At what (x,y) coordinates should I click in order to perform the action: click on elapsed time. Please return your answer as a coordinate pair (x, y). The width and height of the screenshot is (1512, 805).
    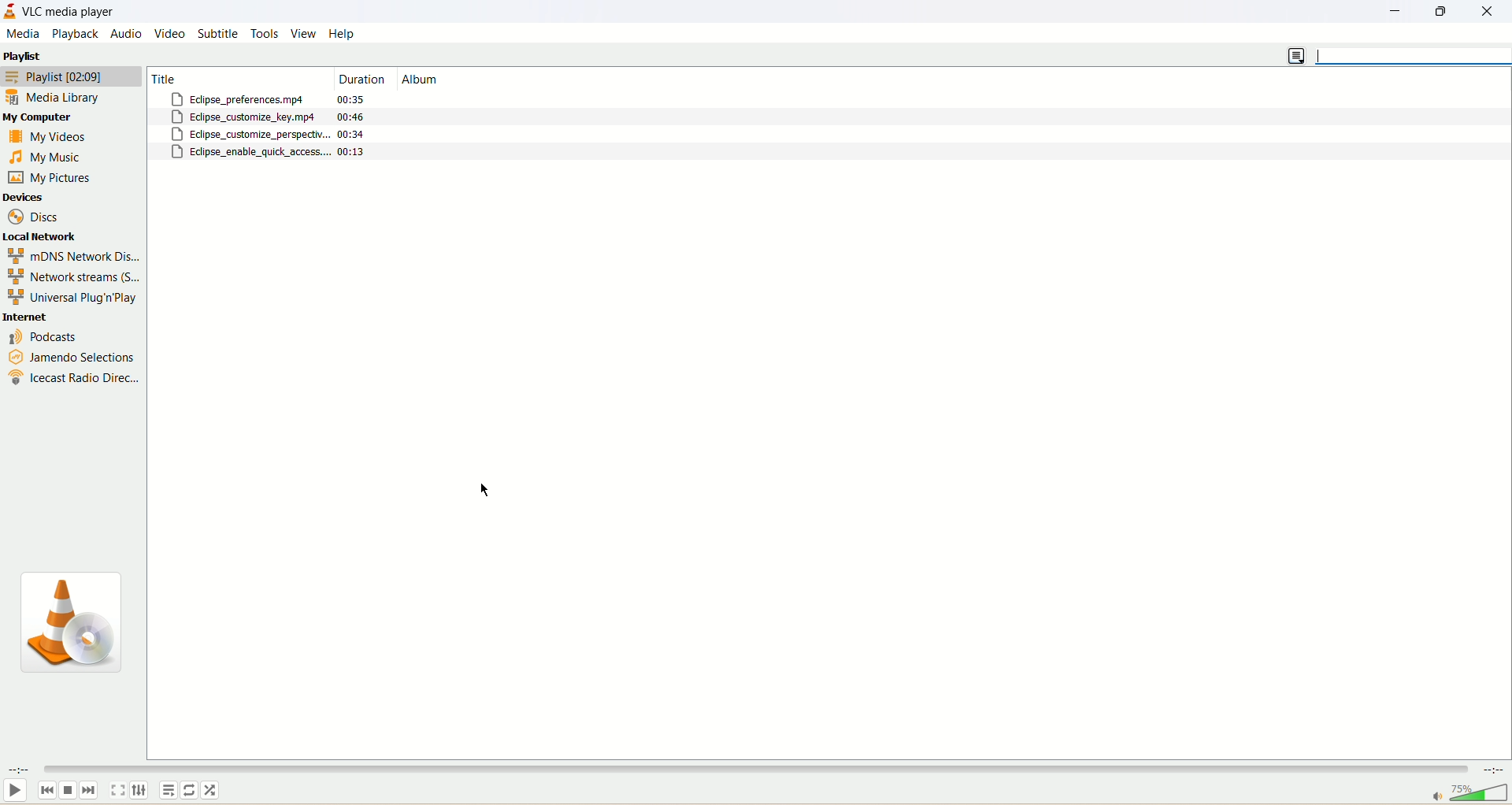
    Looking at the image, I should click on (20, 770).